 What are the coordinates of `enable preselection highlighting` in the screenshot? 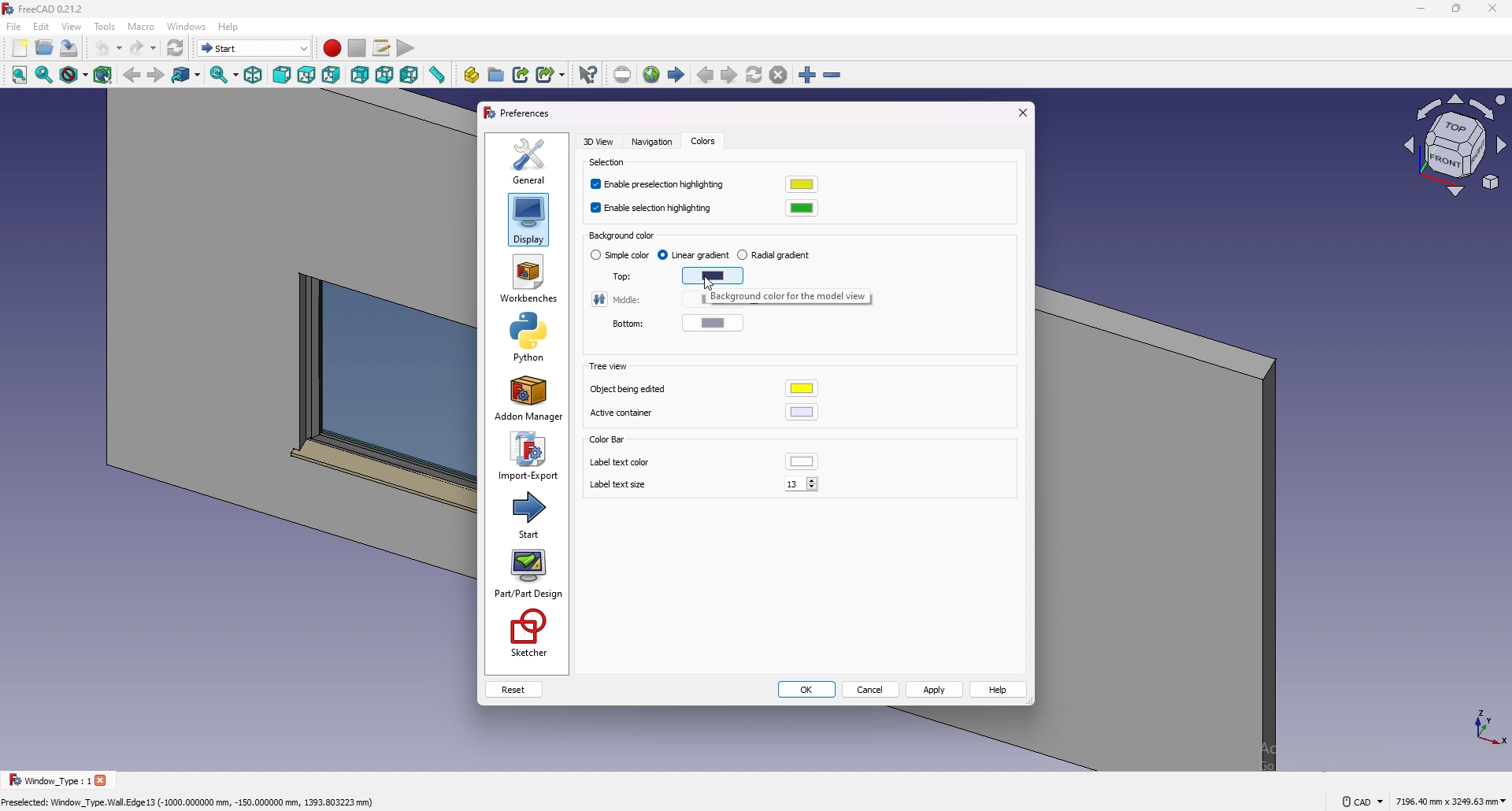 It's located at (661, 185).